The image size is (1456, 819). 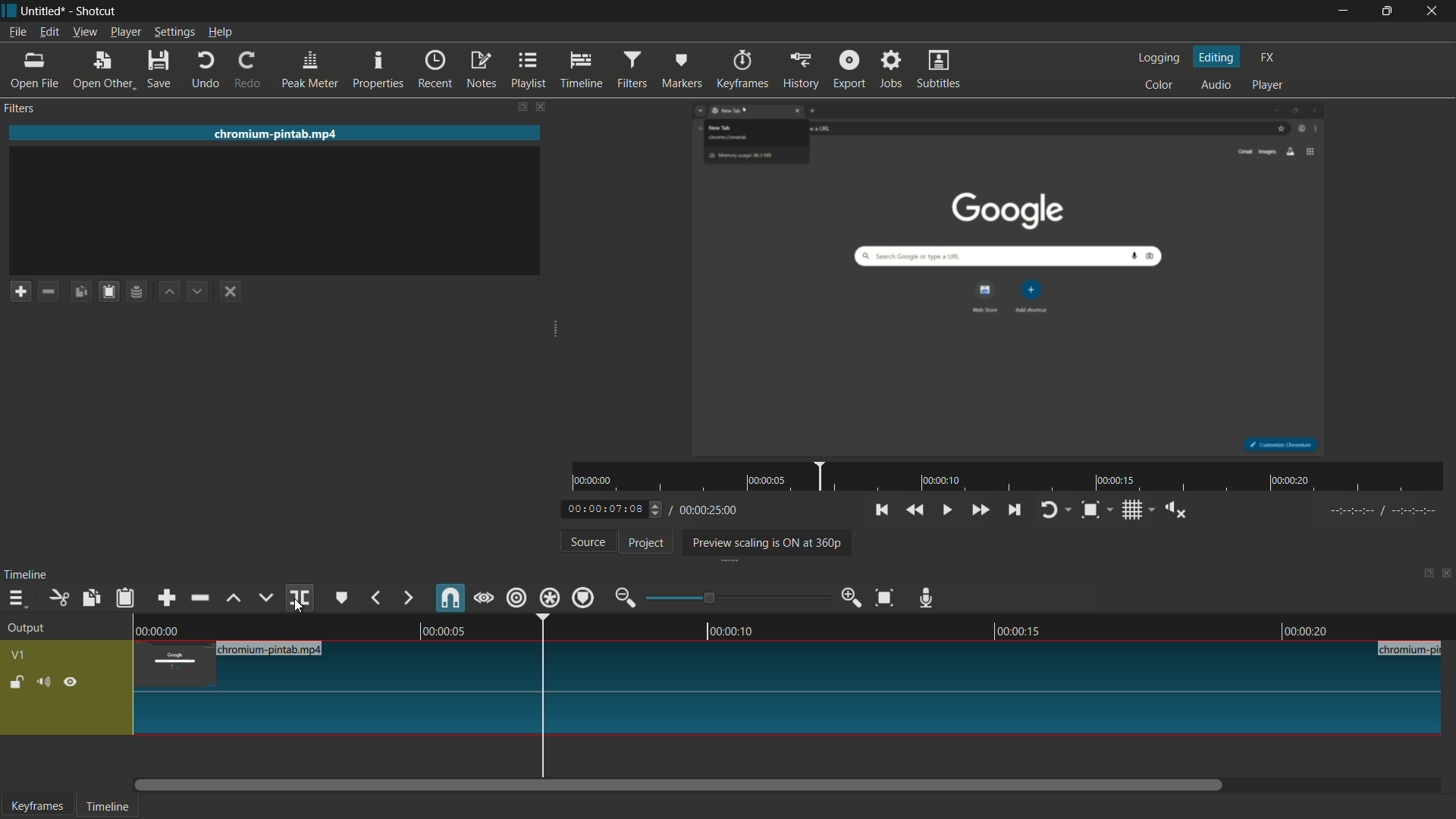 What do you see at coordinates (42, 684) in the screenshot?
I see `mute` at bounding box center [42, 684].